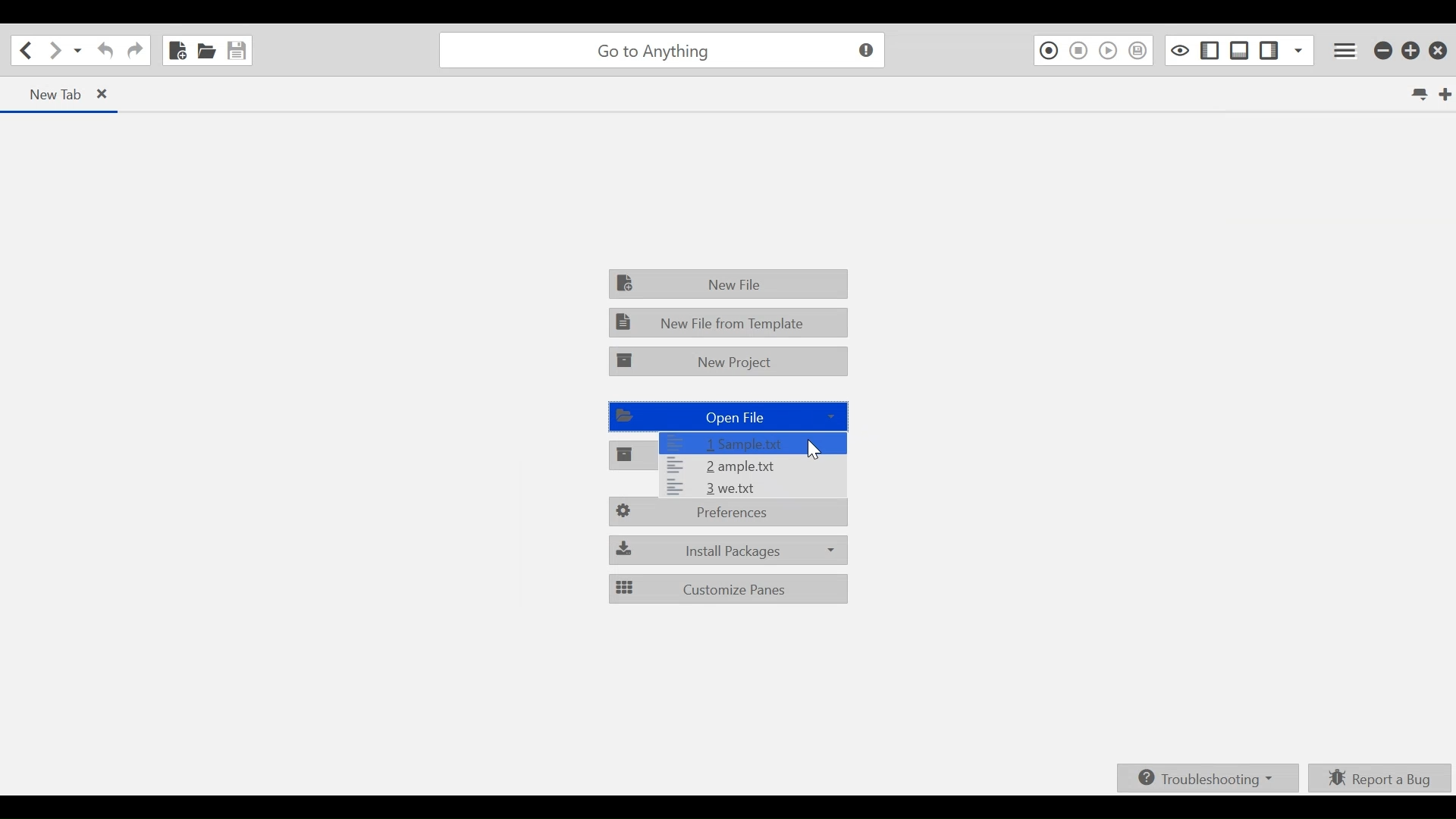 The width and height of the screenshot is (1456, 819). What do you see at coordinates (1178, 50) in the screenshot?
I see `Toggle Focus mode` at bounding box center [1178, 50].